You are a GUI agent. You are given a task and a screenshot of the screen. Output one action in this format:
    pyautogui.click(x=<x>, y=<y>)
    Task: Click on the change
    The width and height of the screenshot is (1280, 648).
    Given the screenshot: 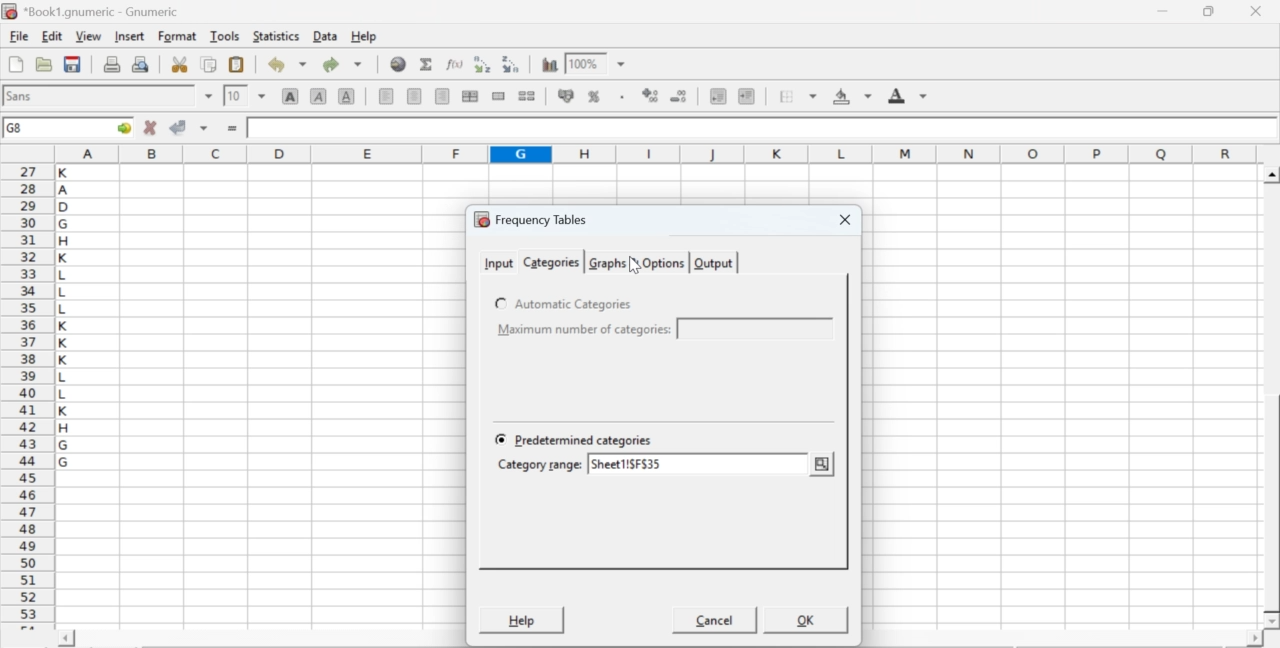 What is the action you would take?
    pyautogui.click(x=820, y=465)
    